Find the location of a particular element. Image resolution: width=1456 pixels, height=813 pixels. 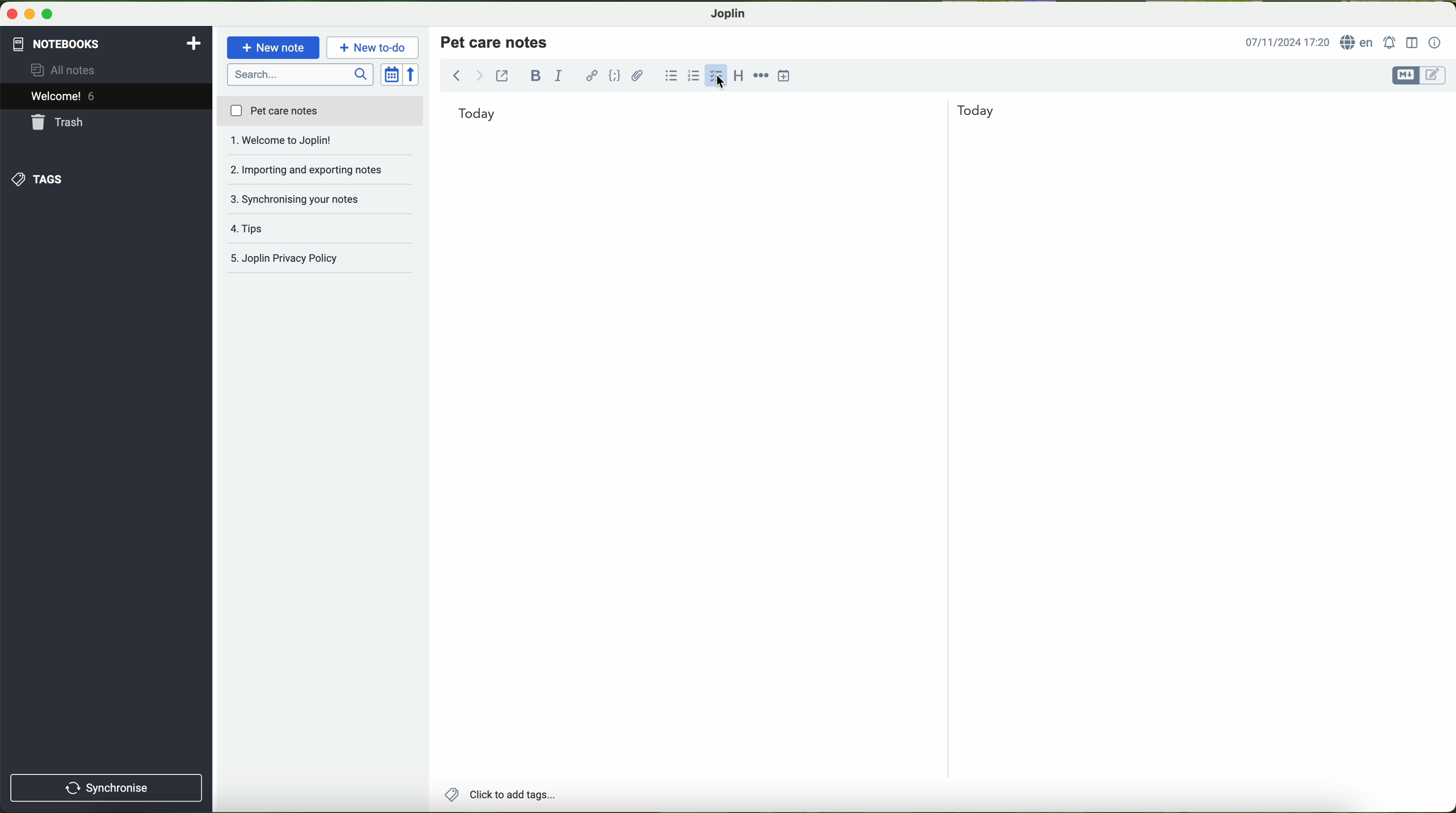

add is located at coordinates (194, 42).